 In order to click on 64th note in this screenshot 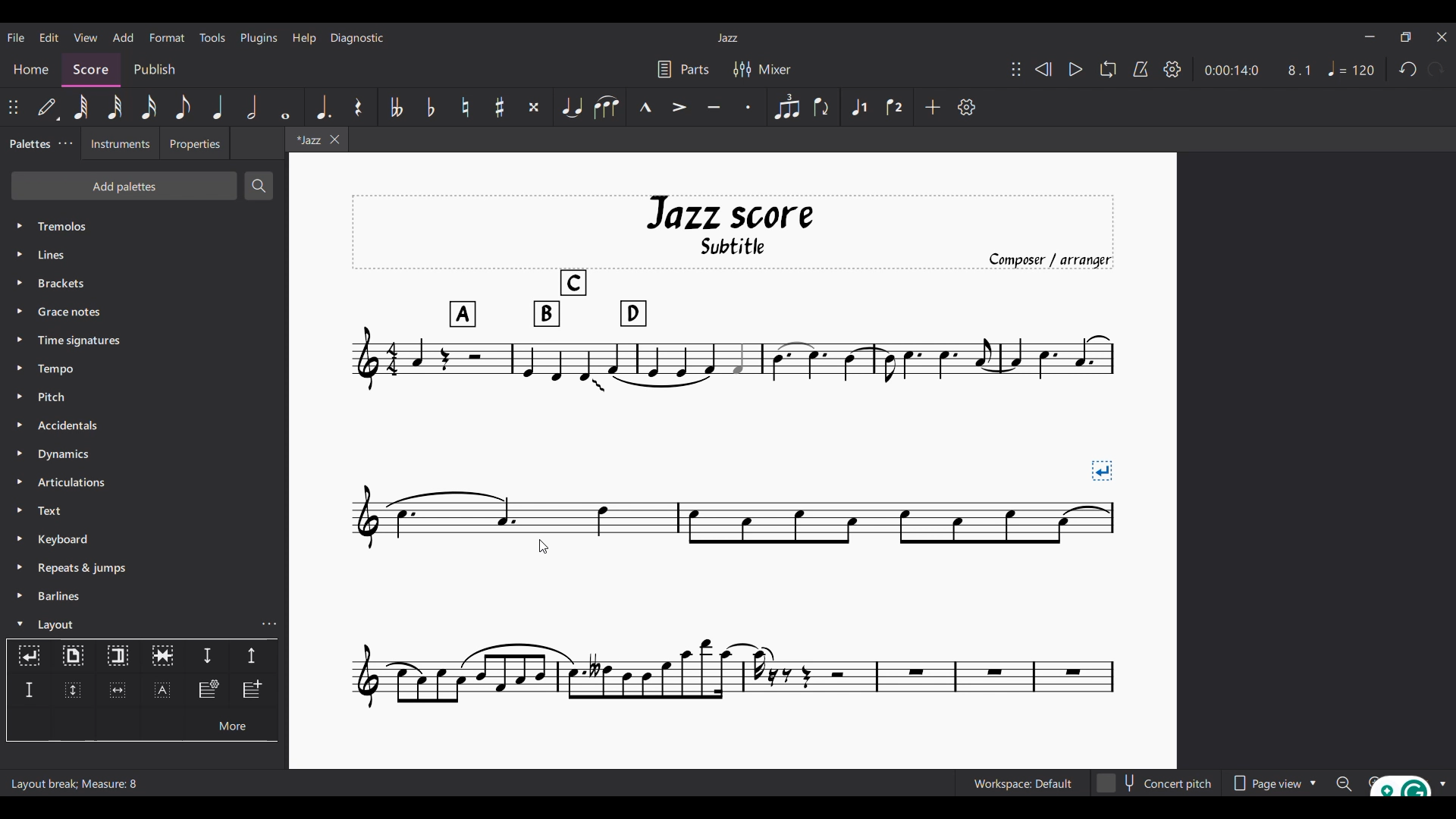, I will do `click(83, 108)`.